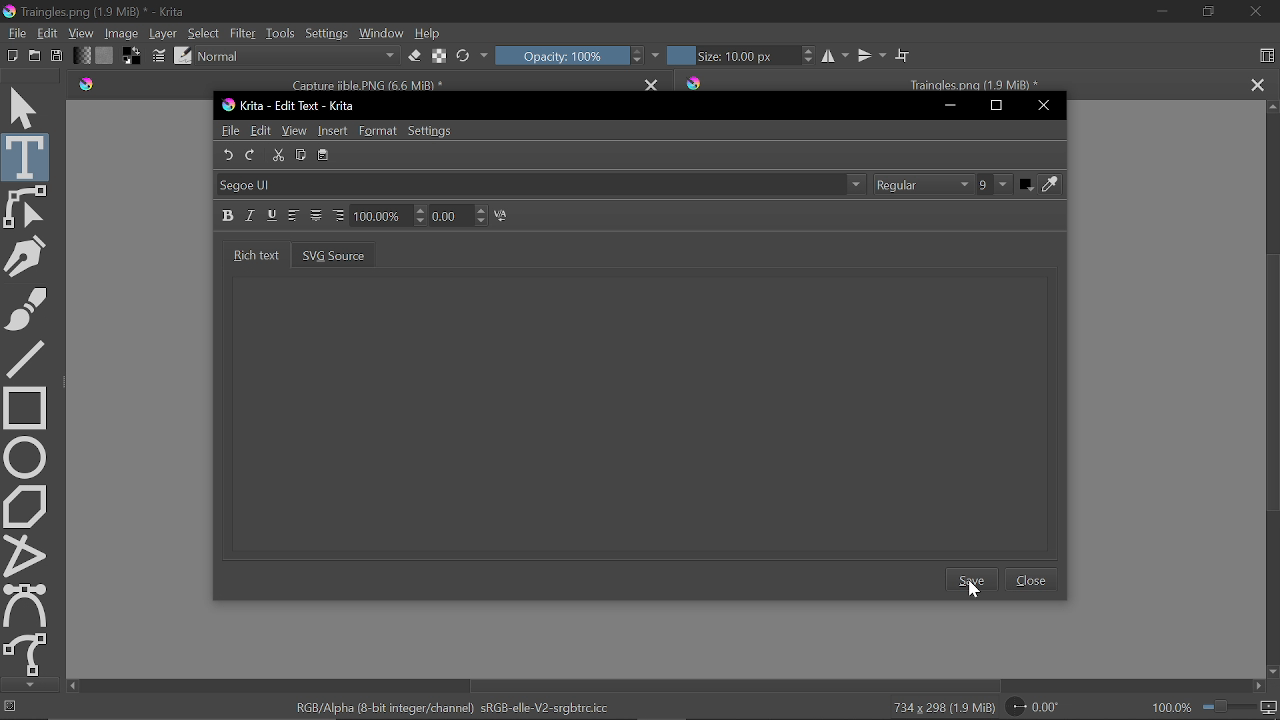  What do you see at coordinates (833, 56) in the screenshot?
I see `Horizontal mirror` at bounding box center [833, 56].